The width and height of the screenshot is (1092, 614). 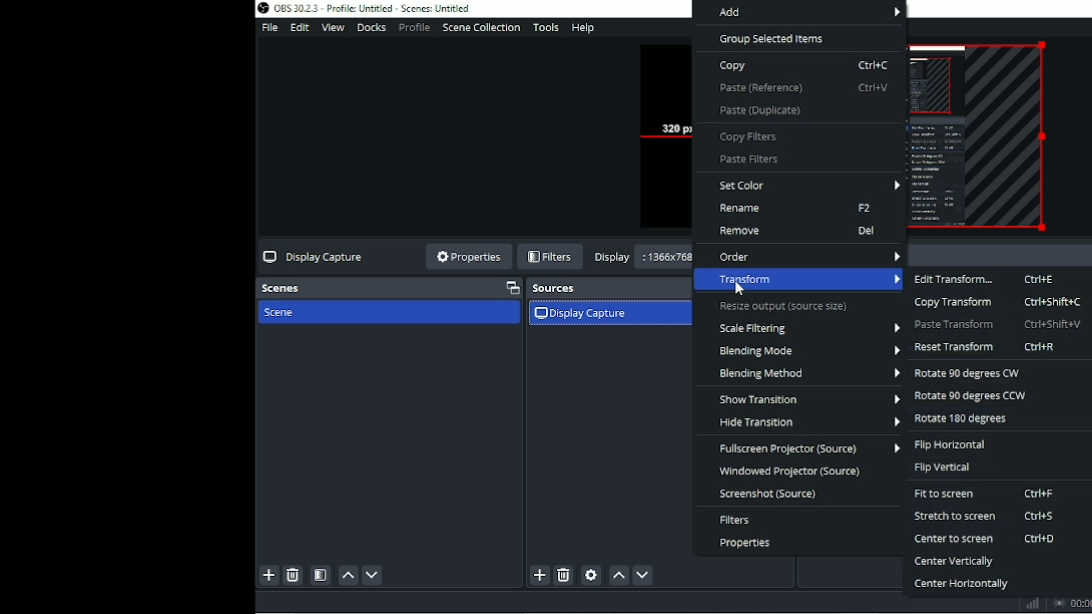 I want to click on Rename, so click(x=799, y=208).